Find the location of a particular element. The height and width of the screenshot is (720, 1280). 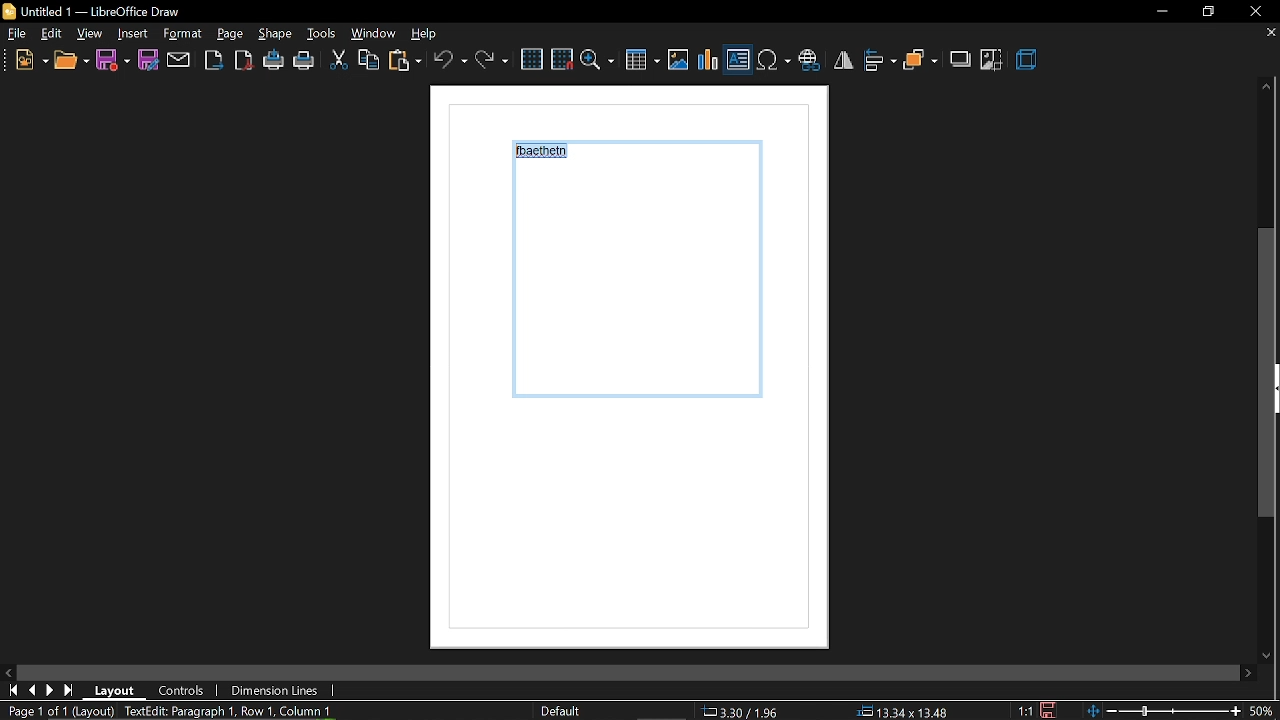

3d effect is located at coordinates (1028, 61).